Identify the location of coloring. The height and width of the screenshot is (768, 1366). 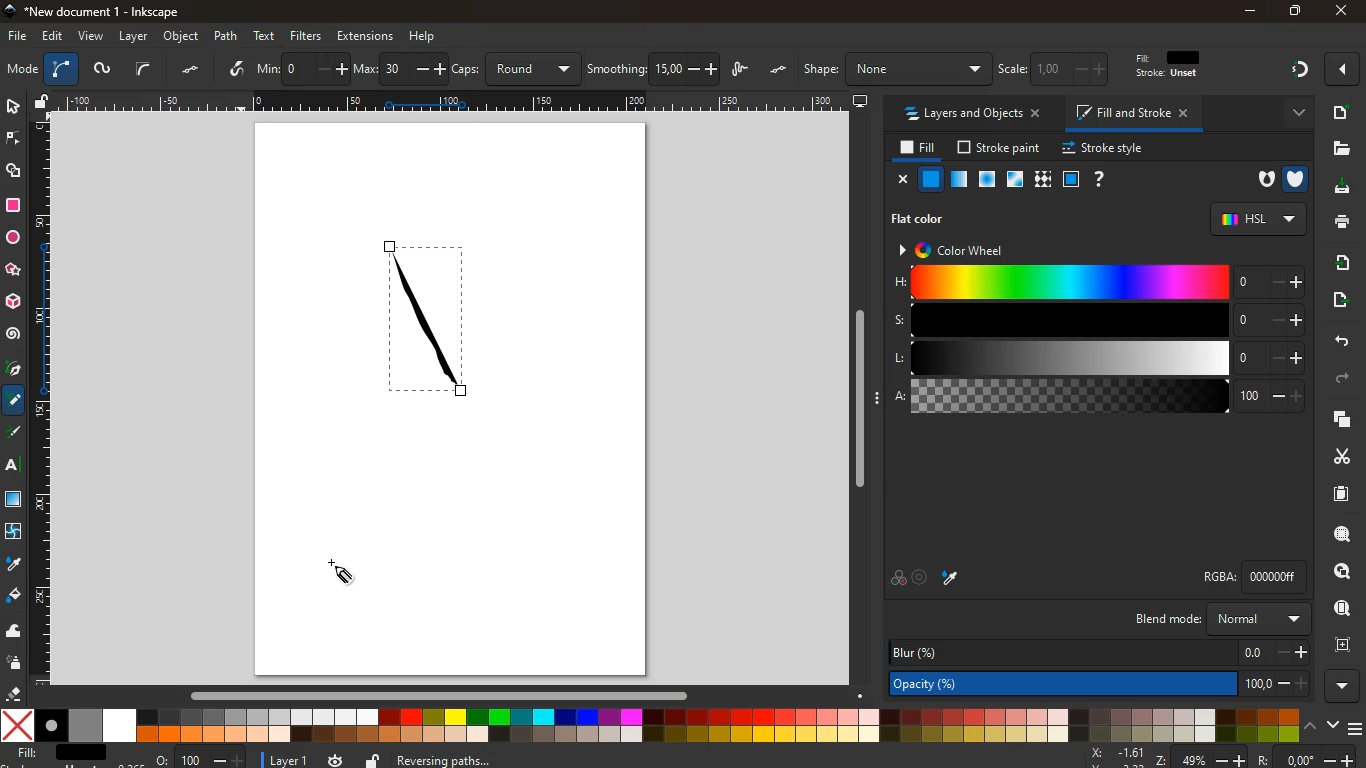
(14, 401).